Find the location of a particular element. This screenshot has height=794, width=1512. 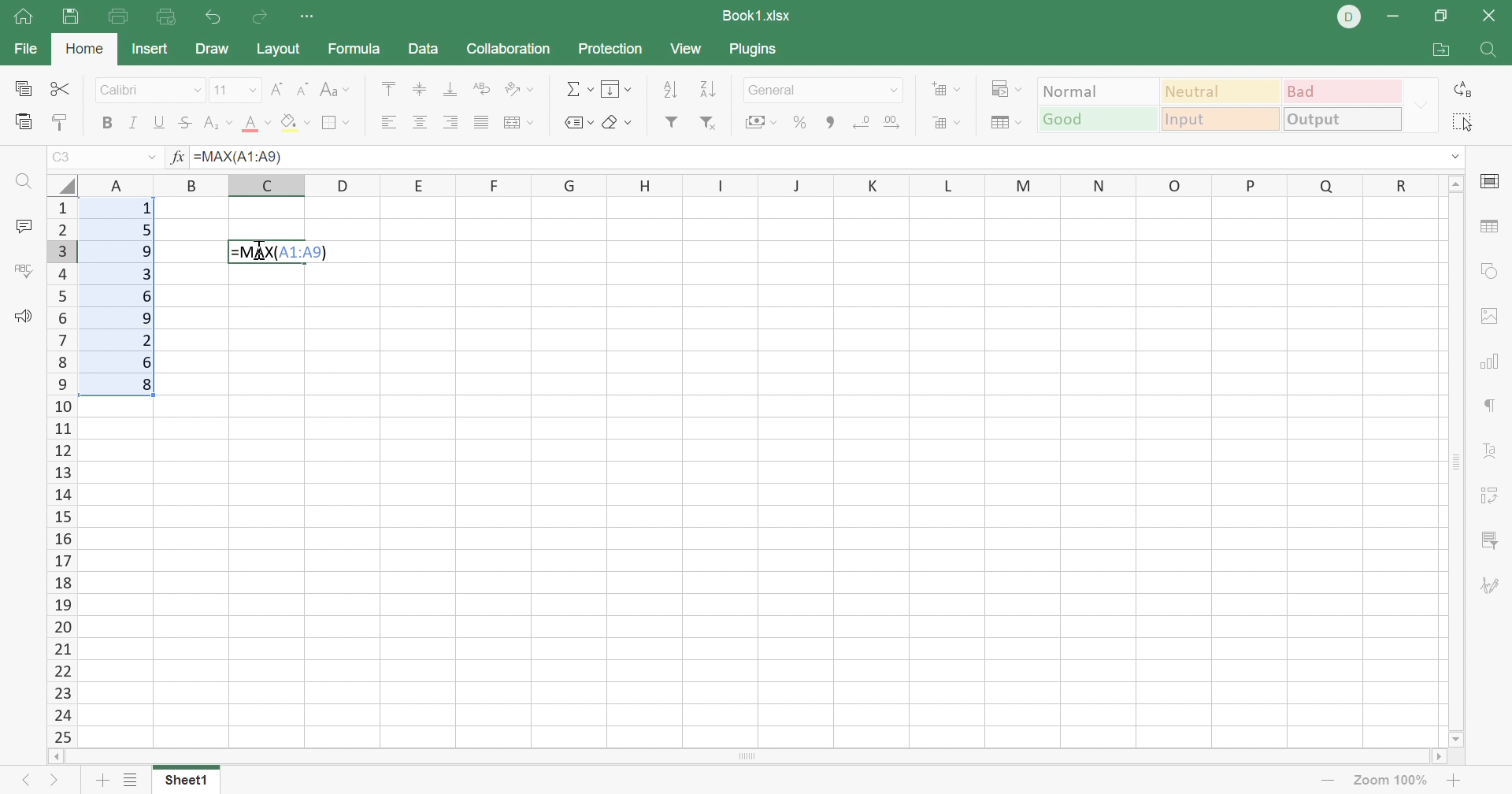

Cursor is located at coordinates (263, 252).